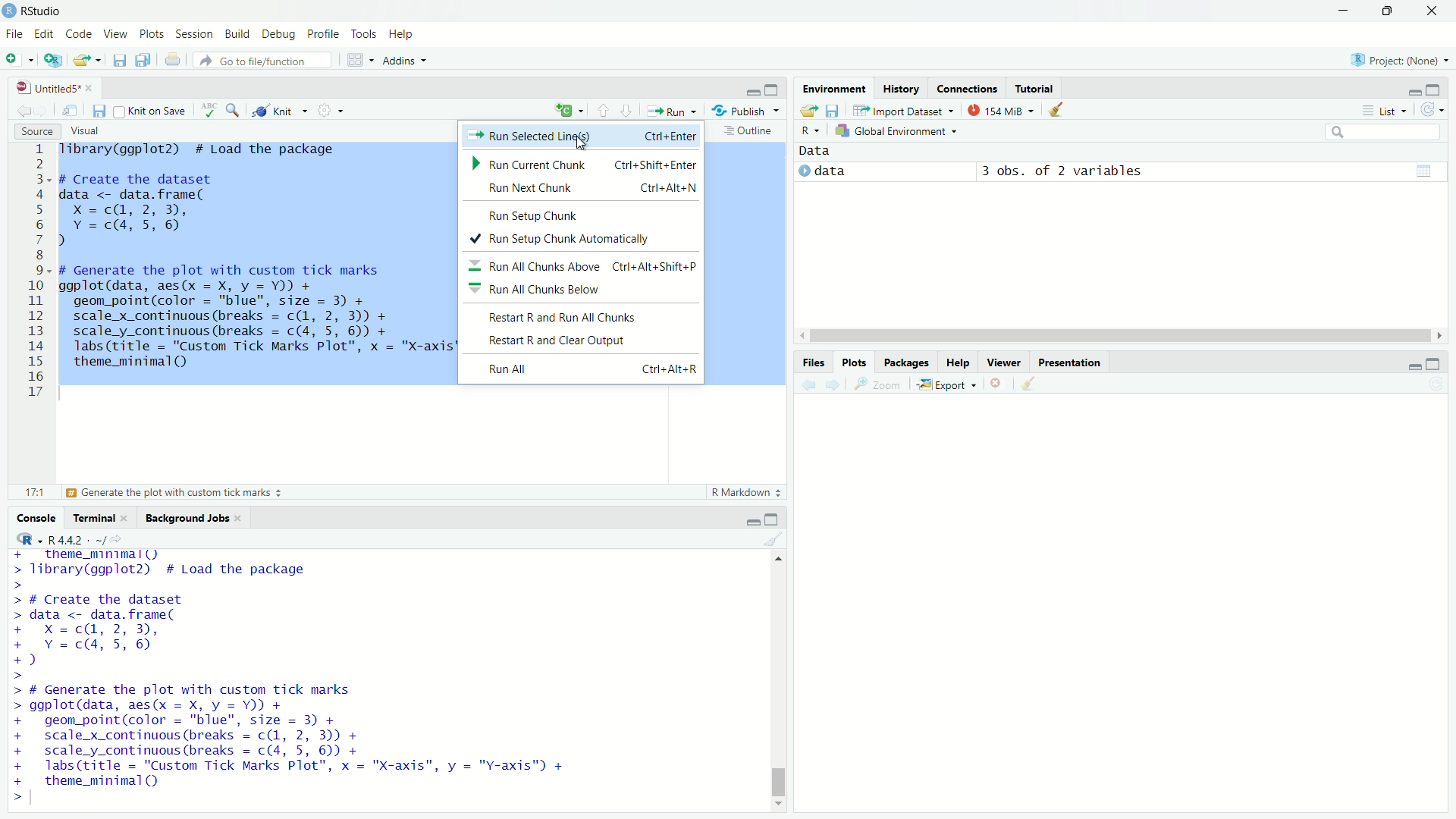  I want to click on plots, so click(152, 36).